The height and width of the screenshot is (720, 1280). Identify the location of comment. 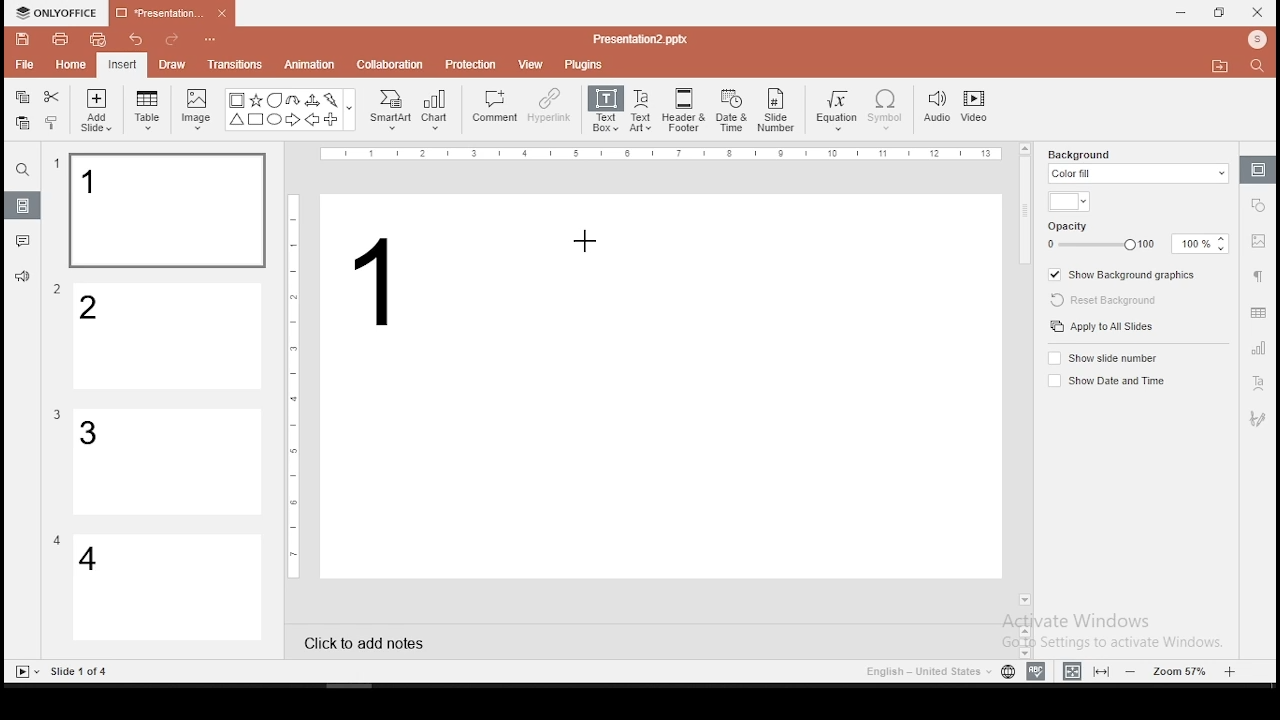
(495, 107).